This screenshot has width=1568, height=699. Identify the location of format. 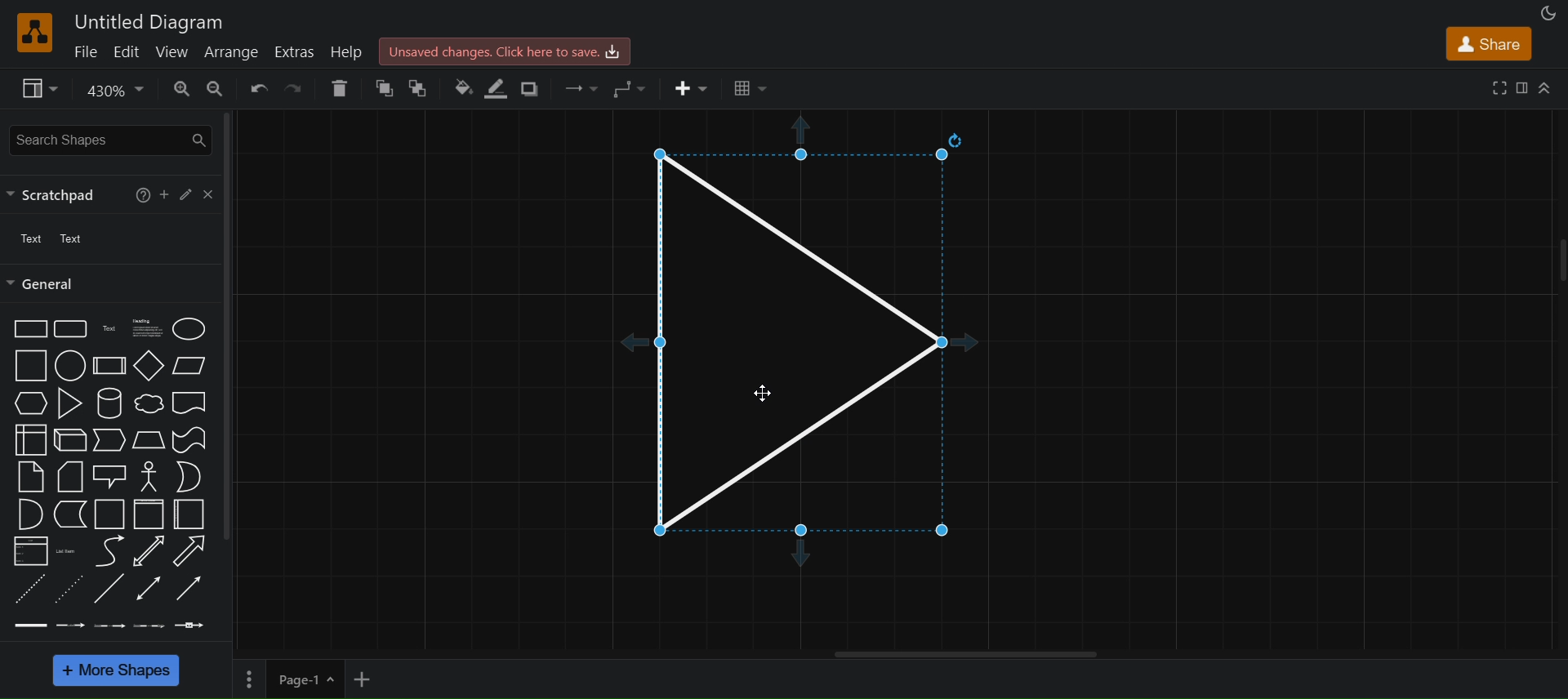
(1522, 87).